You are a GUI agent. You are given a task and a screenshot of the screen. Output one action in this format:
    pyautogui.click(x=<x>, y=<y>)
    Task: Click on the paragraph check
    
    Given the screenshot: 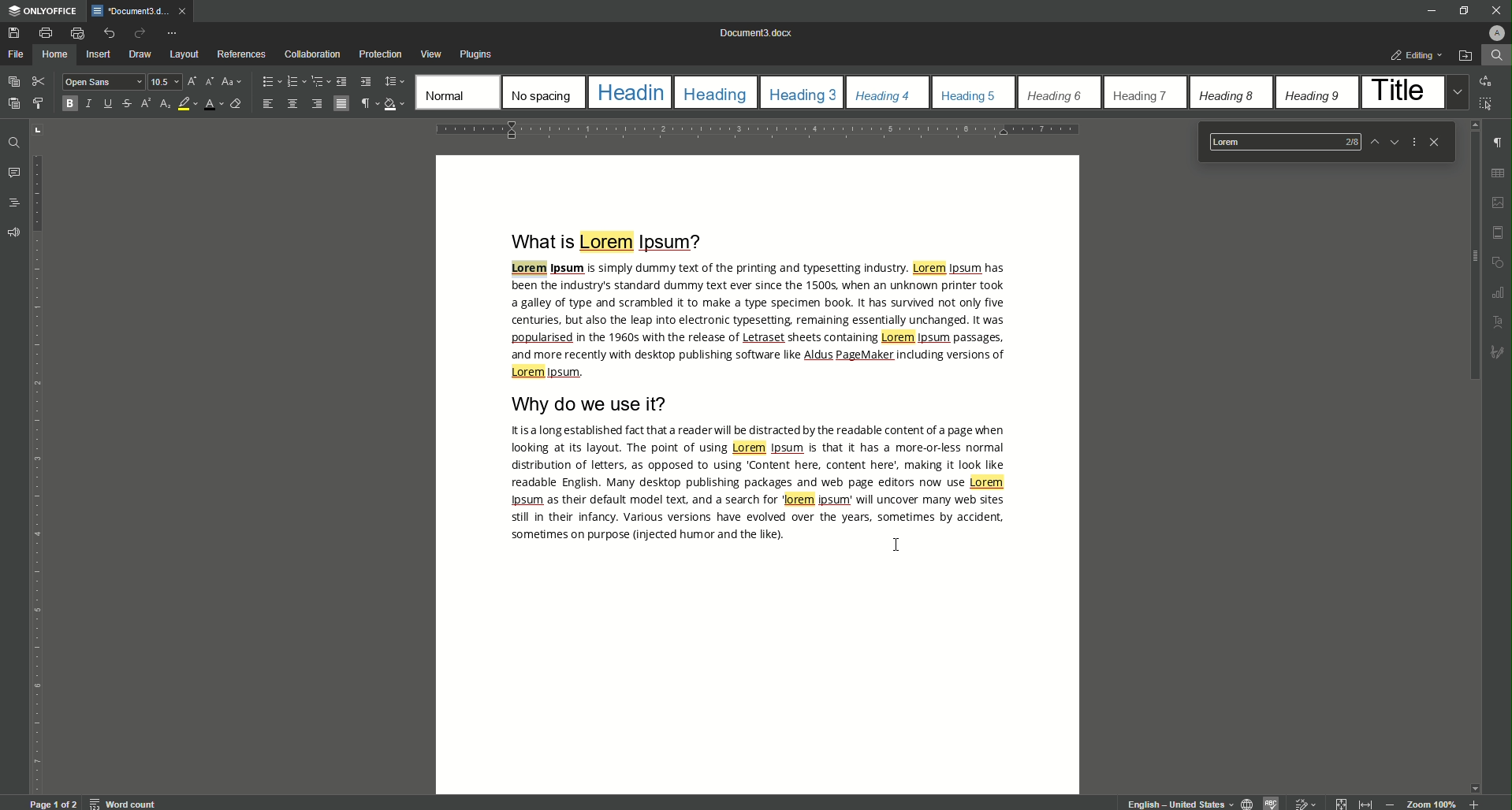 What is the action you would take?
    pyautogui.click(x=1502, y=139)
    